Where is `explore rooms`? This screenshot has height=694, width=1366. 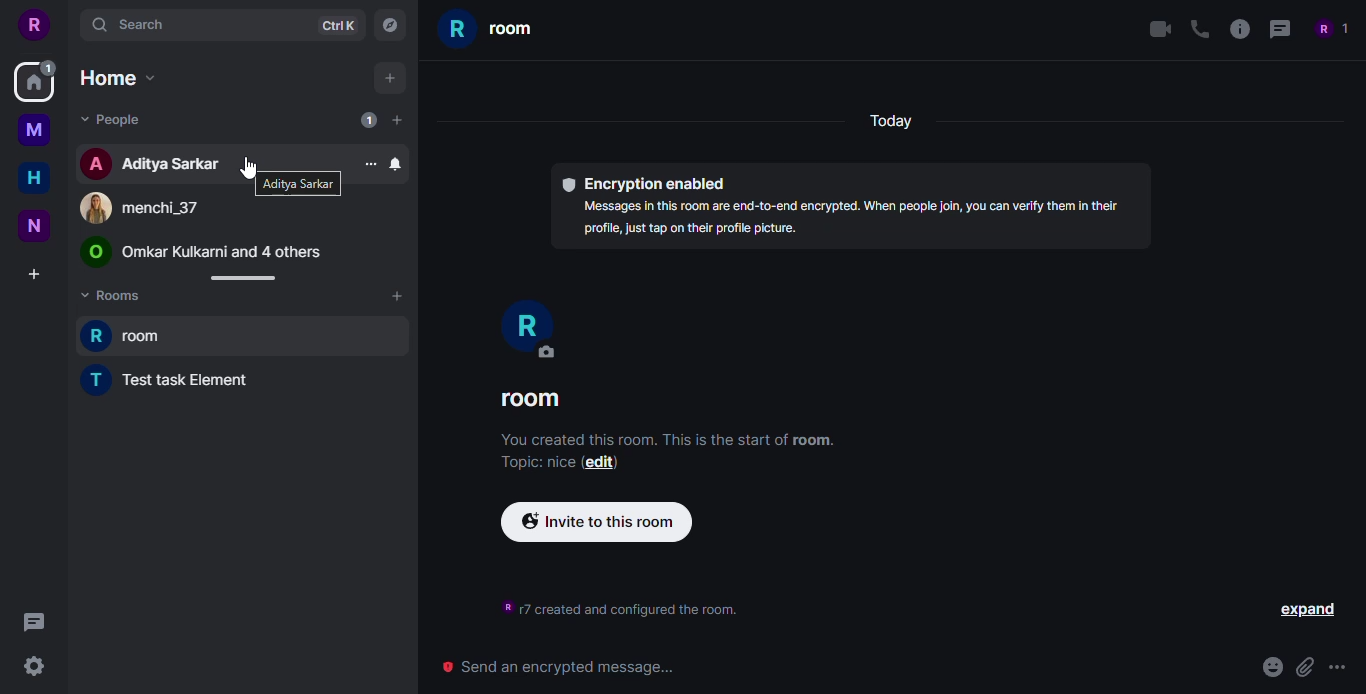
explore rooms is located at coordinates (388, 27).